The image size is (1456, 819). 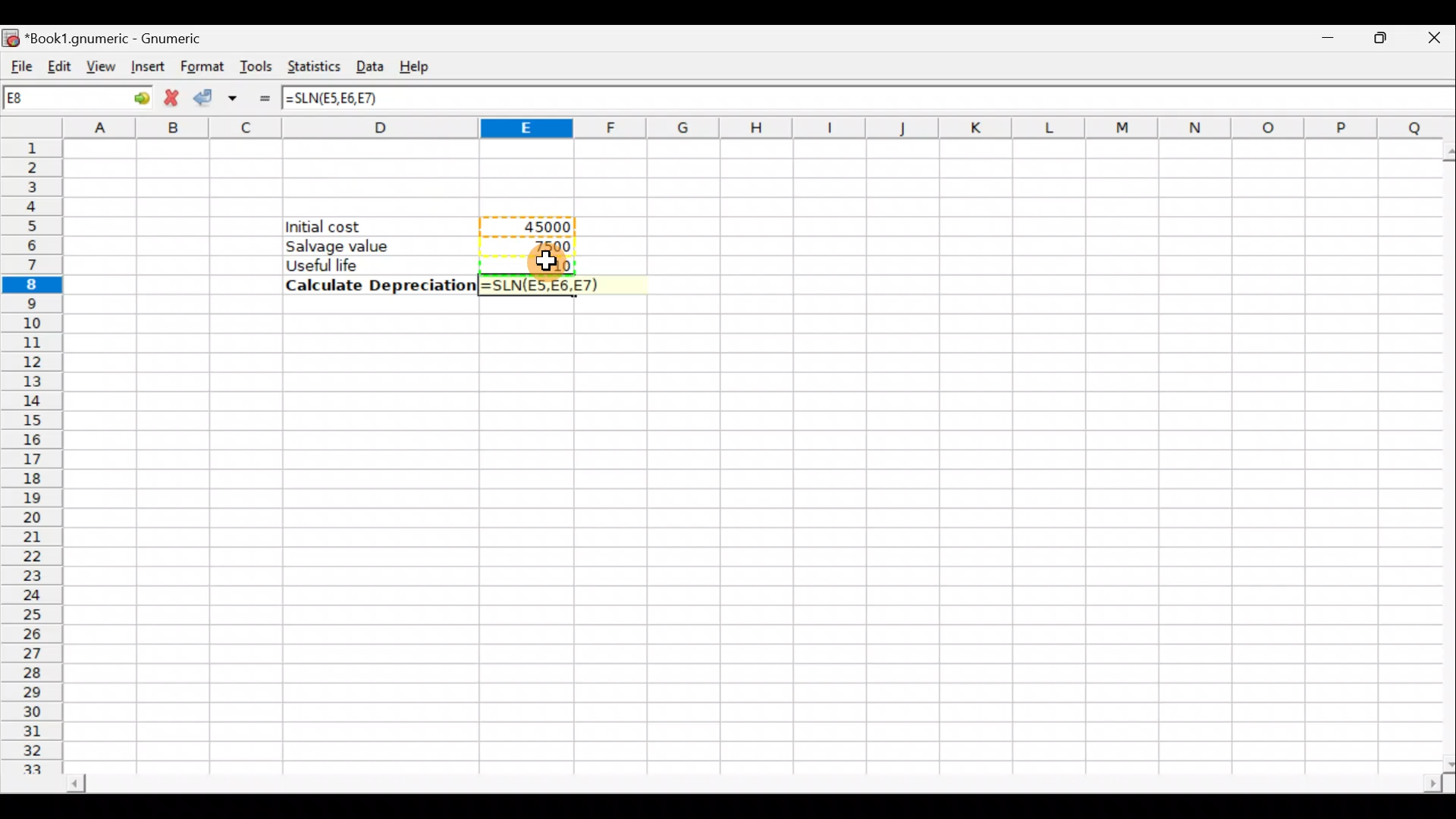 I want to click on File, so click(x=19, y=61).